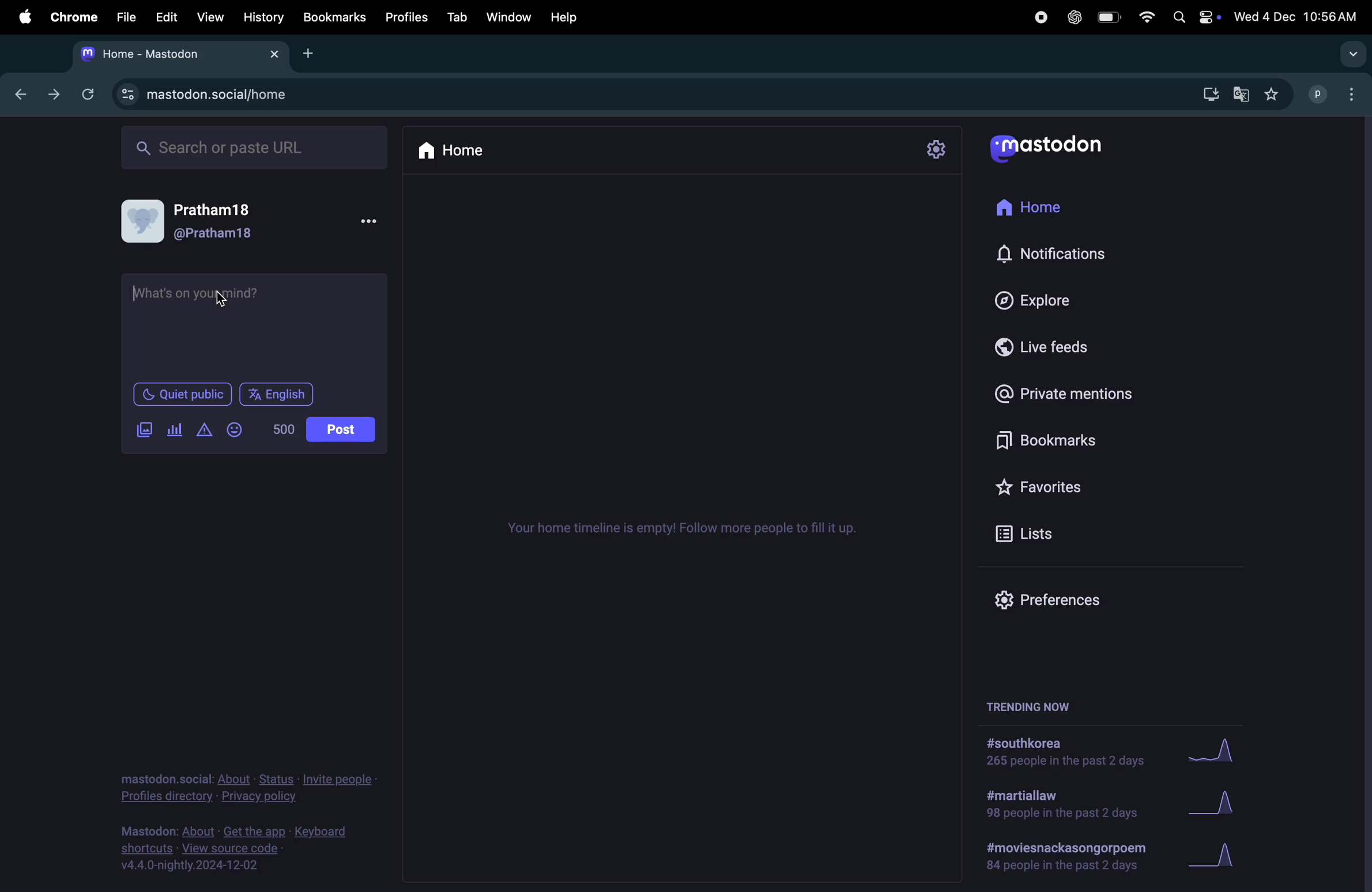  What do you see at coordinates (1041, 300) in the screenshot?
I see `Explore` at bounding box center [1041, 300].